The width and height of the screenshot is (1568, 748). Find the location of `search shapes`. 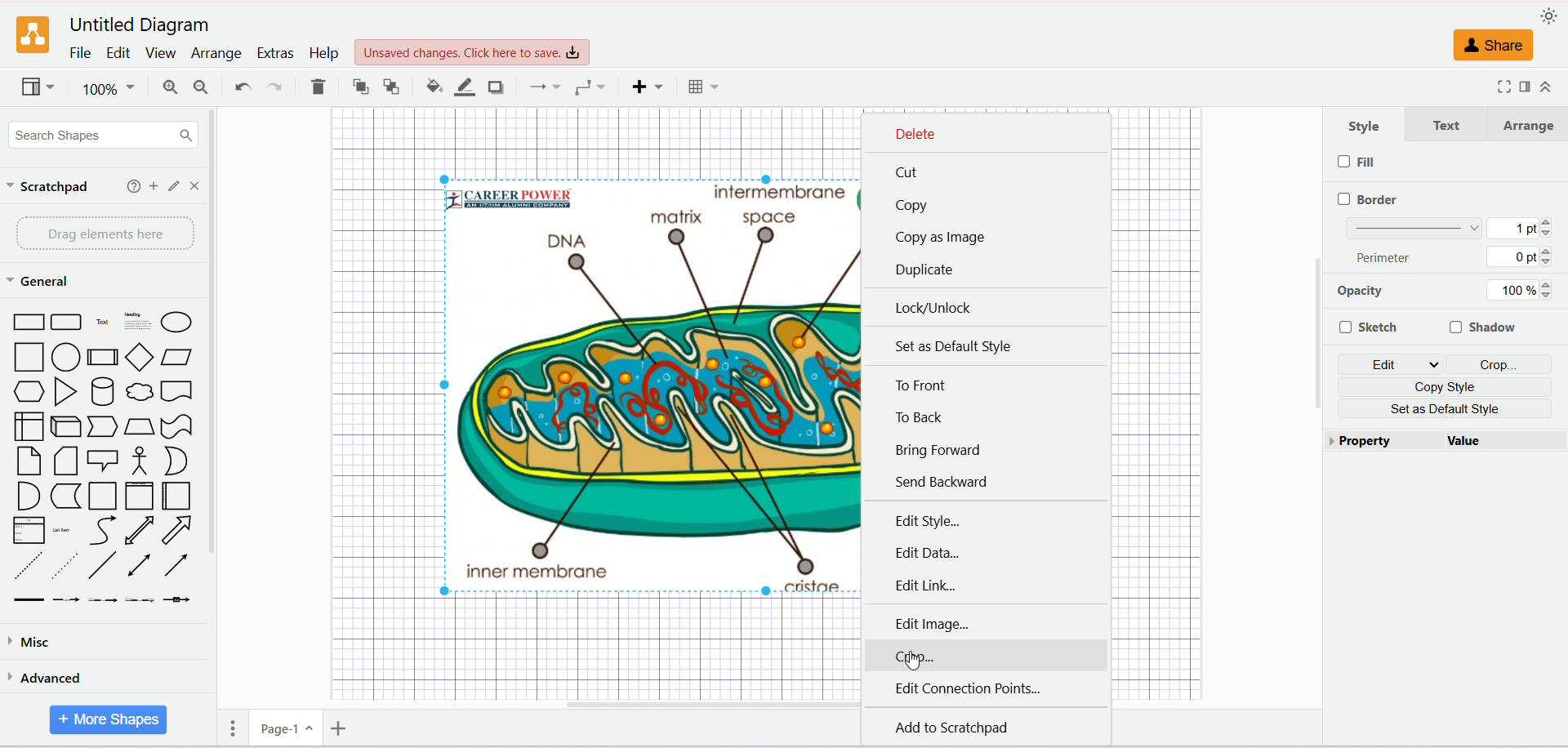

search shapes is located at coordinates (104, 136).